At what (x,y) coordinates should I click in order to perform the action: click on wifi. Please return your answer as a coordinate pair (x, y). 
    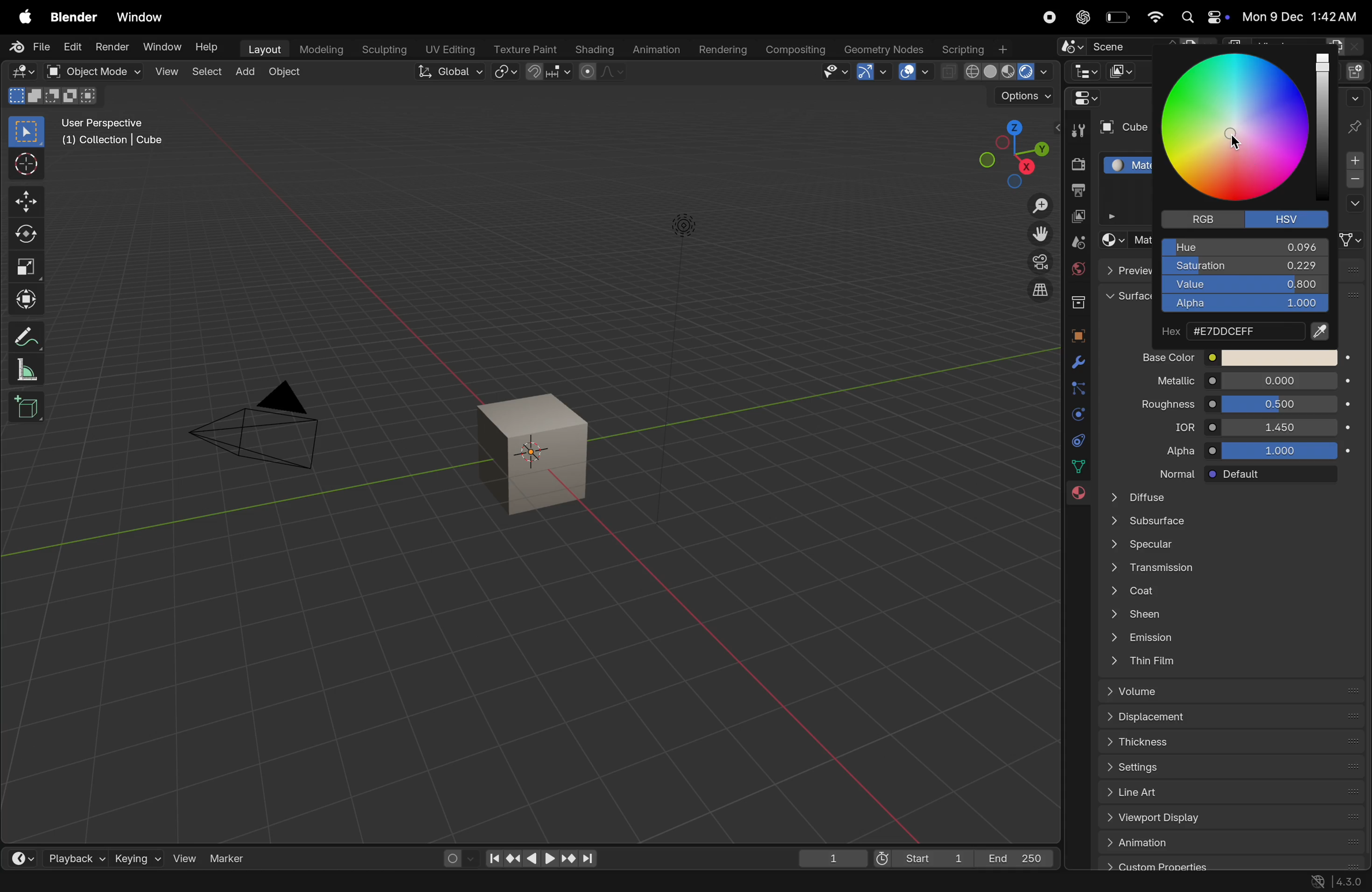
    Looking at the image, I should click on (1154, 17).